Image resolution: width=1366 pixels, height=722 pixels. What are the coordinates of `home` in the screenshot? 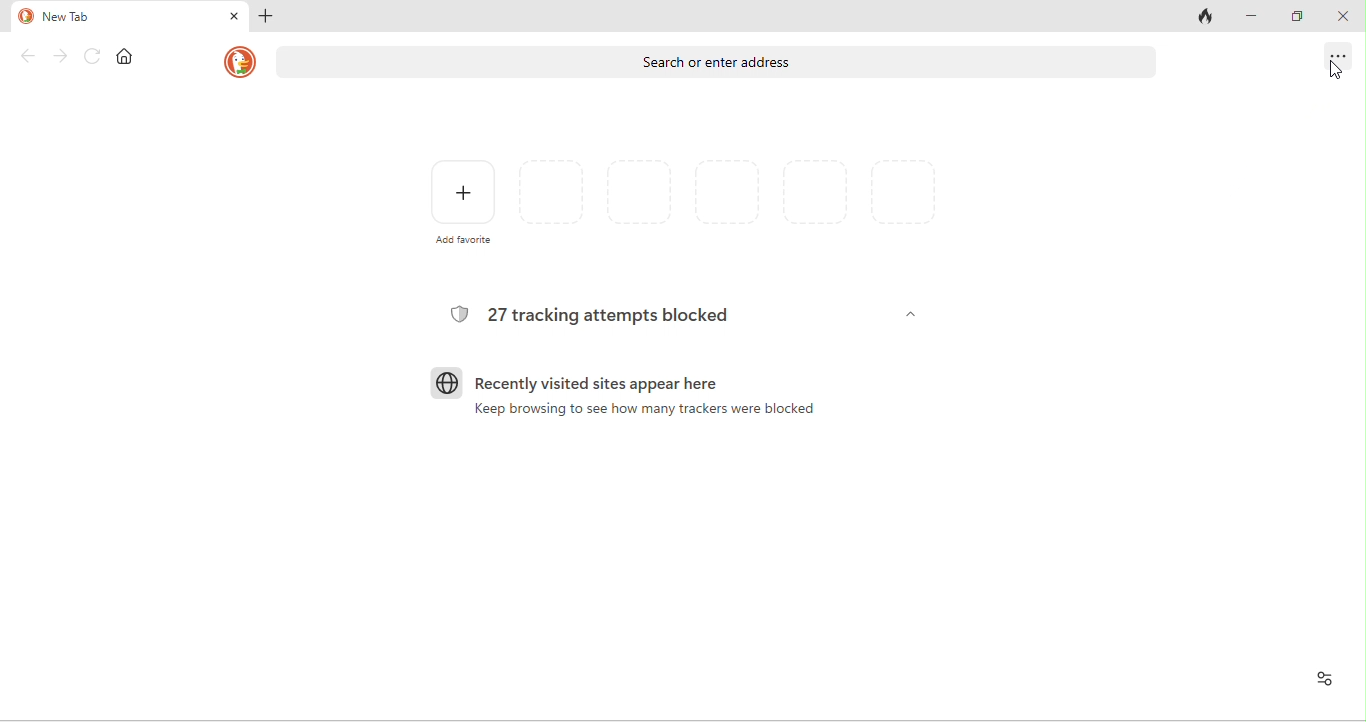 It's located at (126, 57).